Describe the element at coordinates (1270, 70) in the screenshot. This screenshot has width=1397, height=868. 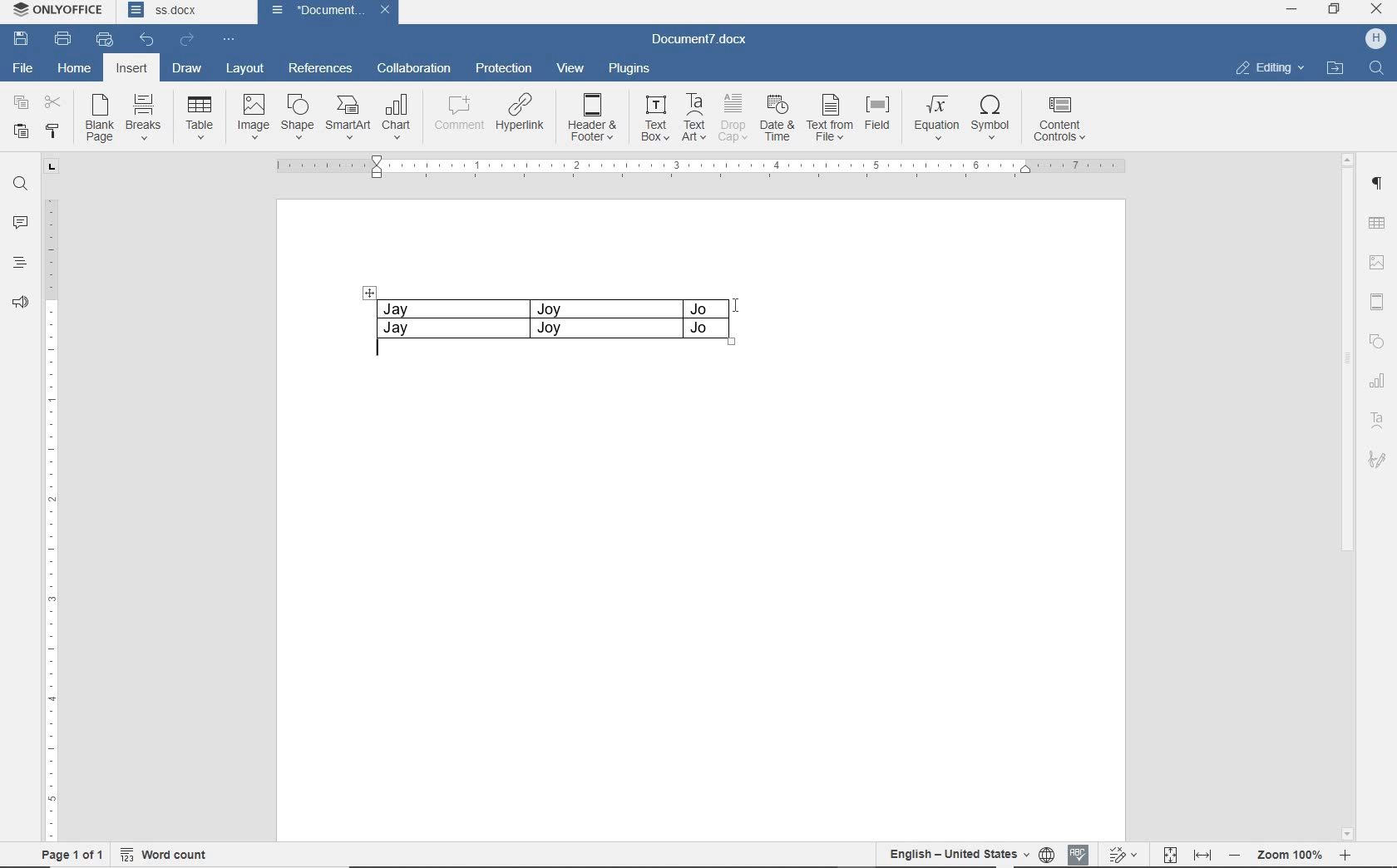
I see `EDITING` at that location.